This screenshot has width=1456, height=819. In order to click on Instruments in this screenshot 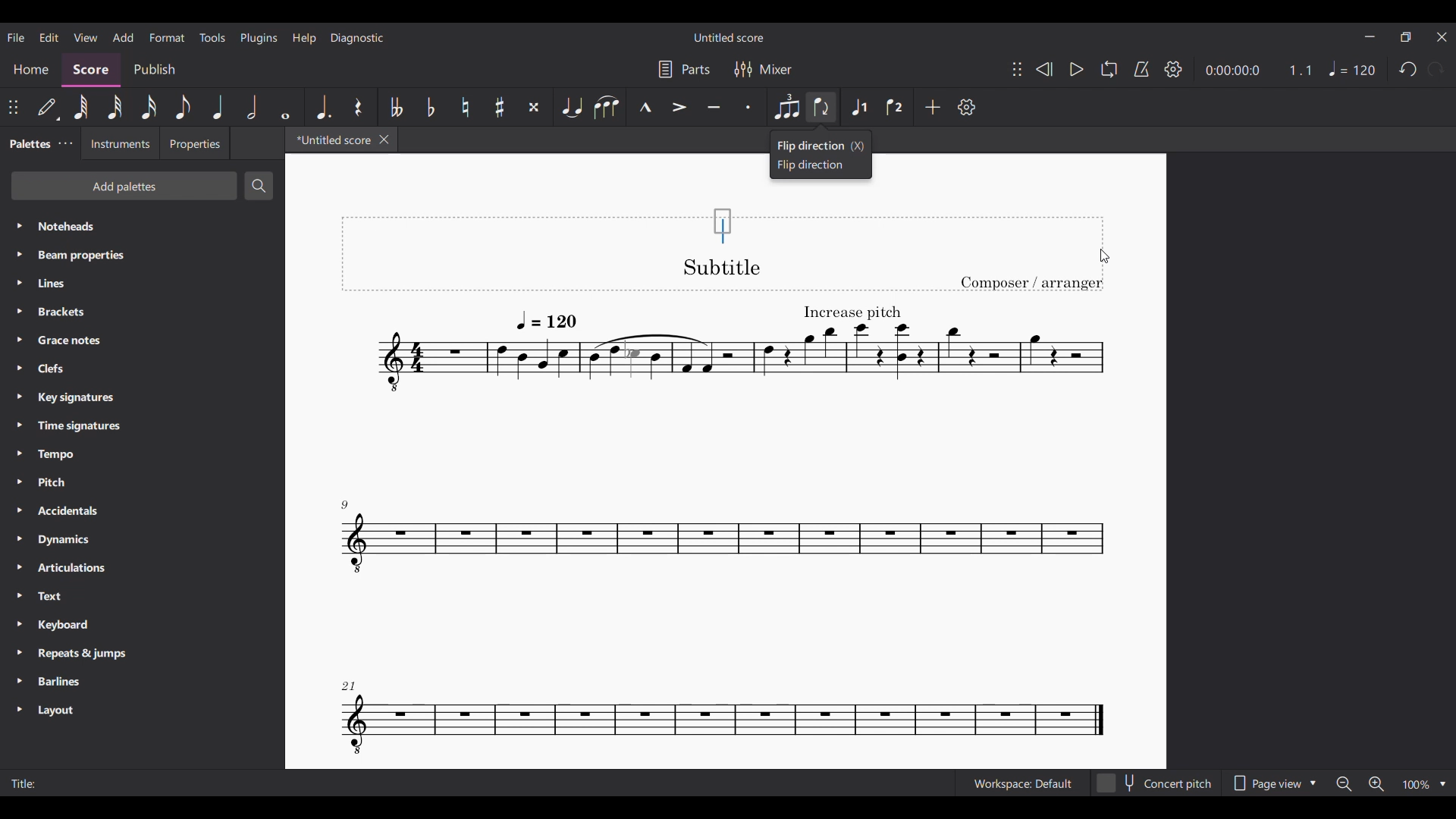, I will do `click(119, 143)`.